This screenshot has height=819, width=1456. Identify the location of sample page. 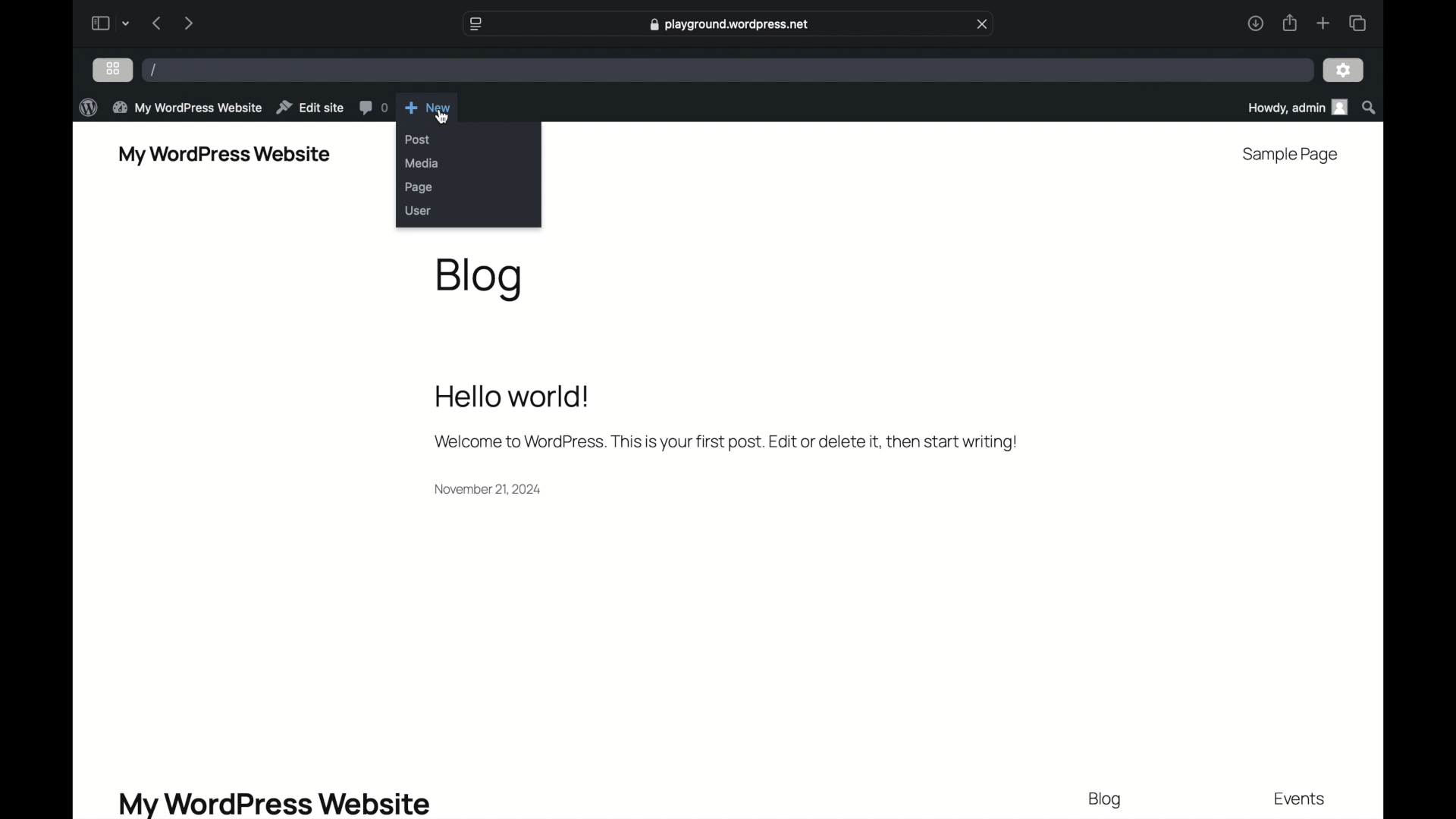
(1288, 155).